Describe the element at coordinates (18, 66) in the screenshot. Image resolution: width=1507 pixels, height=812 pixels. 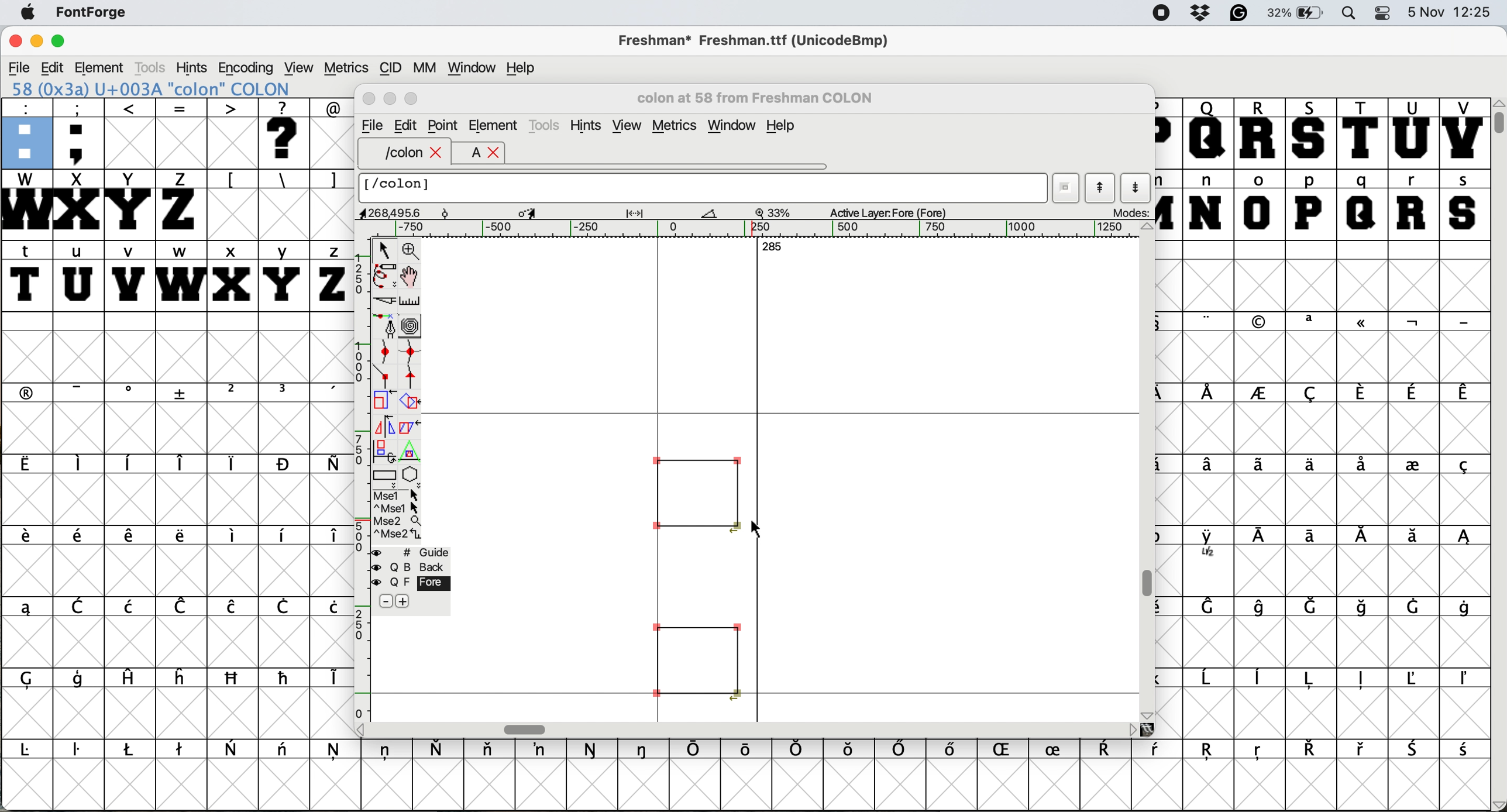
I see `file` at that location.